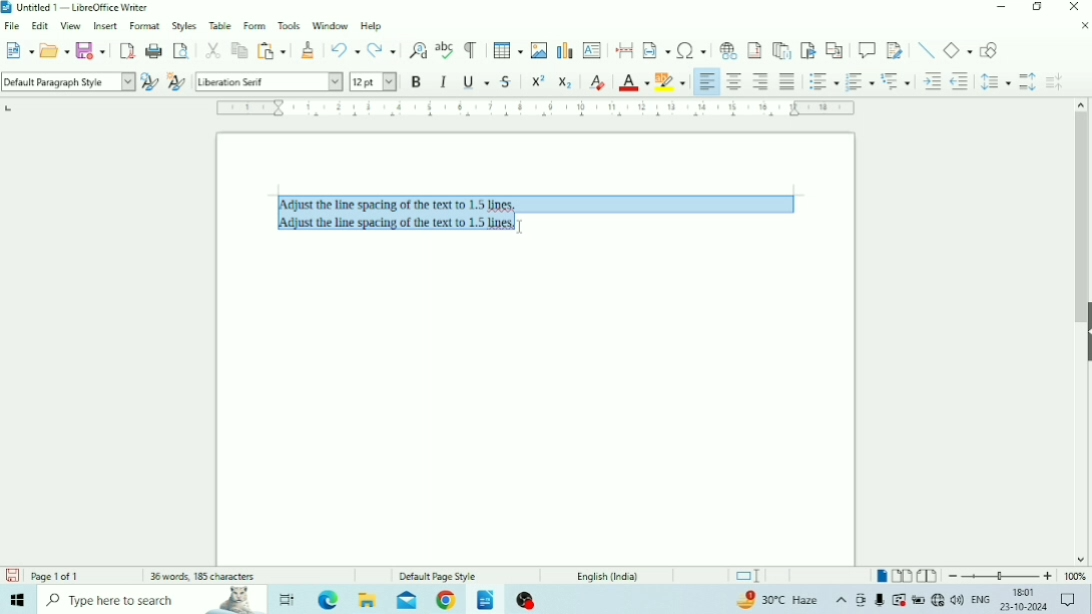 This screenshot has height=614, width=1092. I want to click on Toggle Ordered List, so click(859, 80).